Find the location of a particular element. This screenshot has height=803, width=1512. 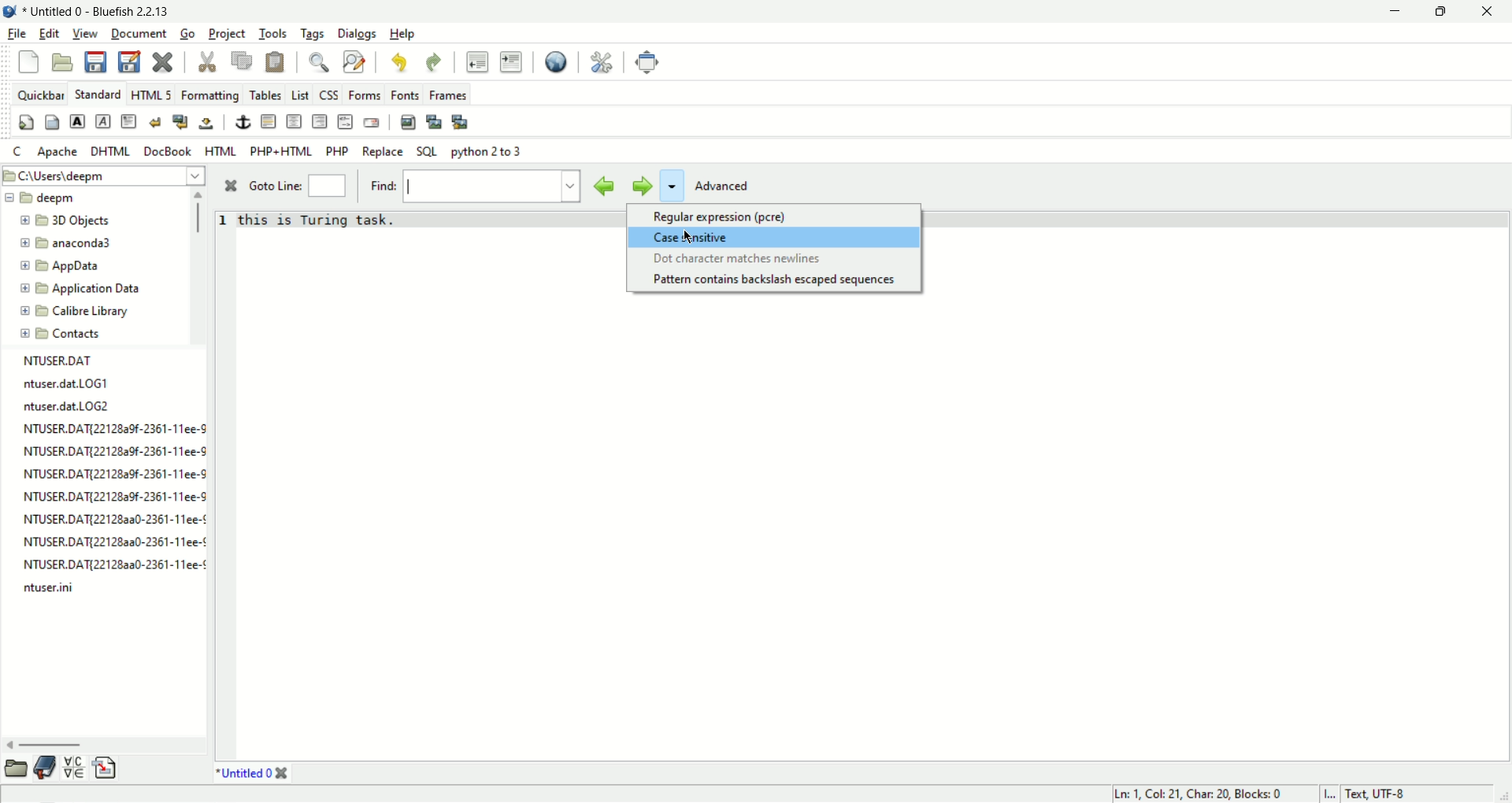

NTUSER.DATI221282a9f-2361-11ee-8 is located at coordinates (112, 496).